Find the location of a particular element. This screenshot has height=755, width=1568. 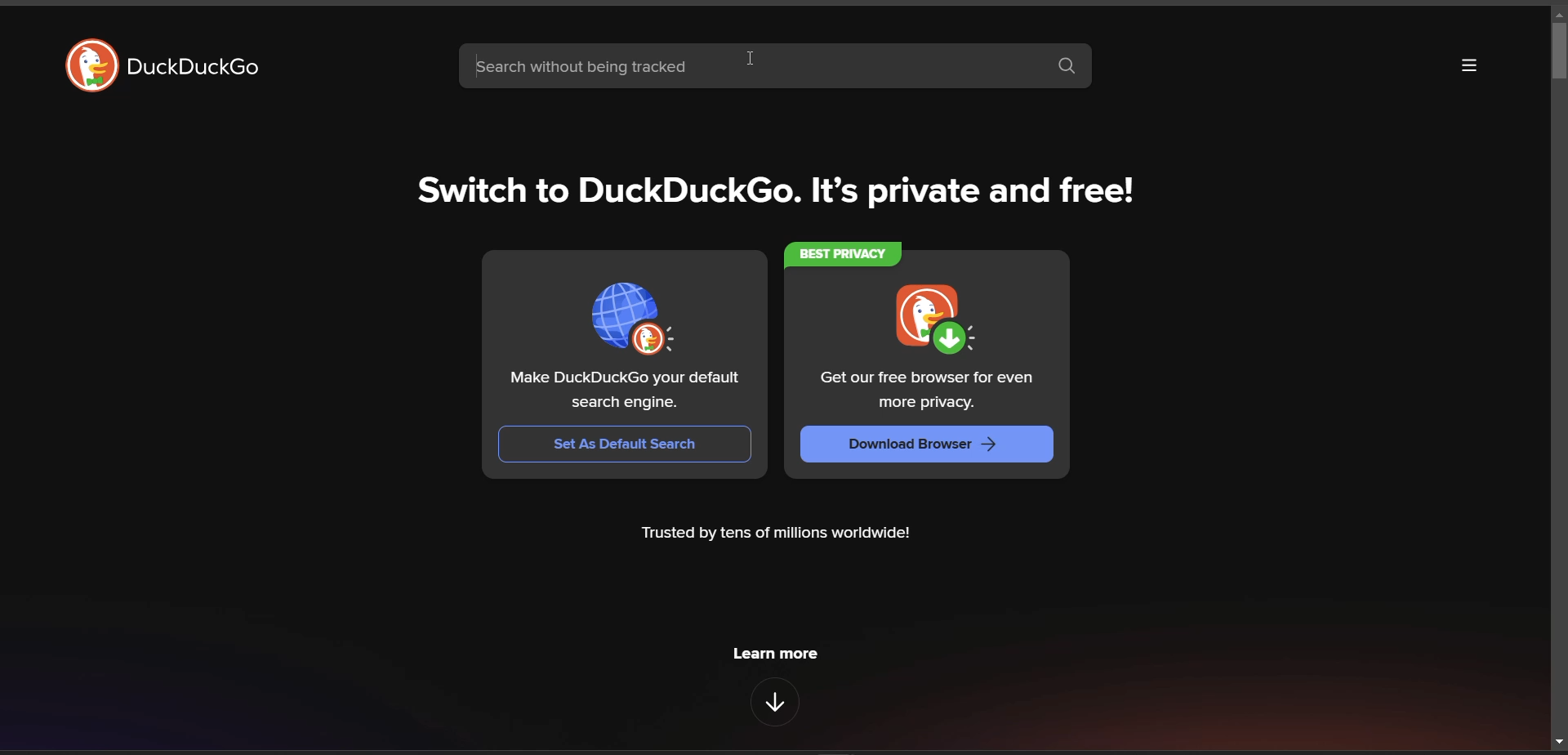

BEST PRIVACY is located at coordinates (846, 252).